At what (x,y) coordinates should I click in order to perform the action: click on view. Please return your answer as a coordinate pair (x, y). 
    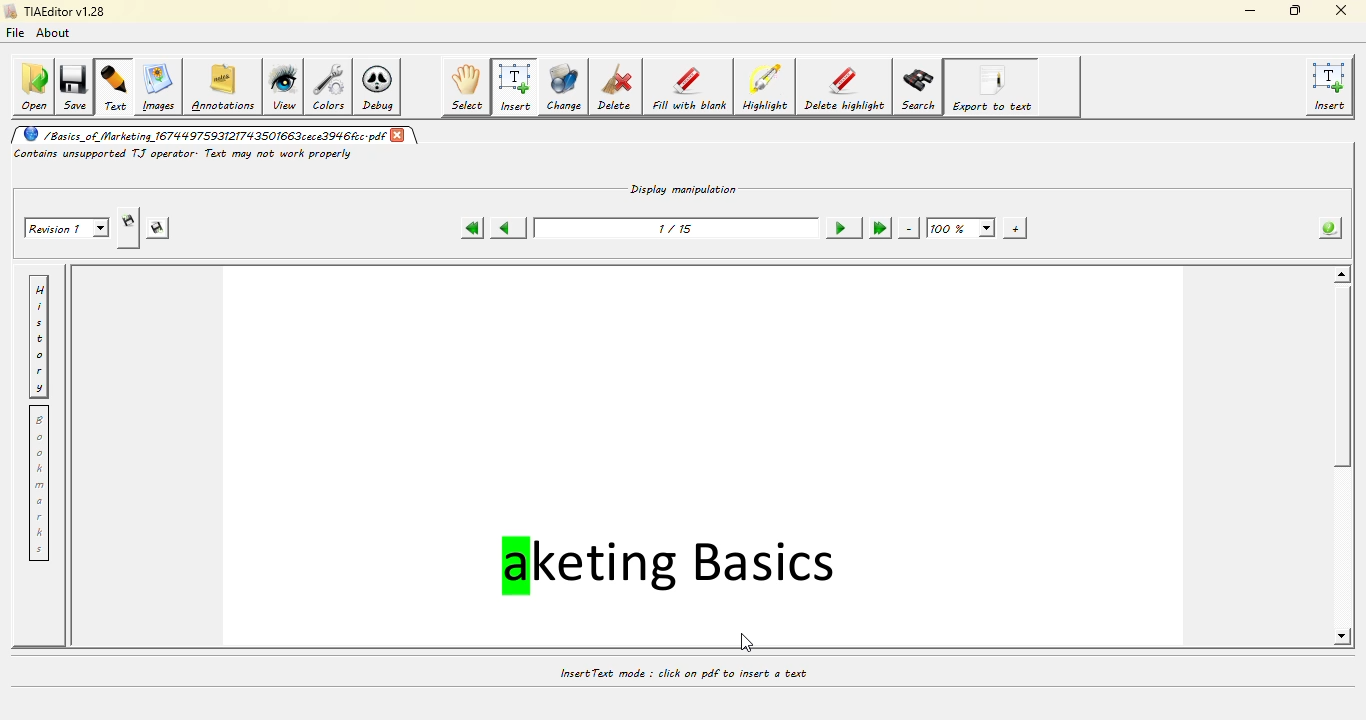
    Looking at the image, I should click on (286, 86).